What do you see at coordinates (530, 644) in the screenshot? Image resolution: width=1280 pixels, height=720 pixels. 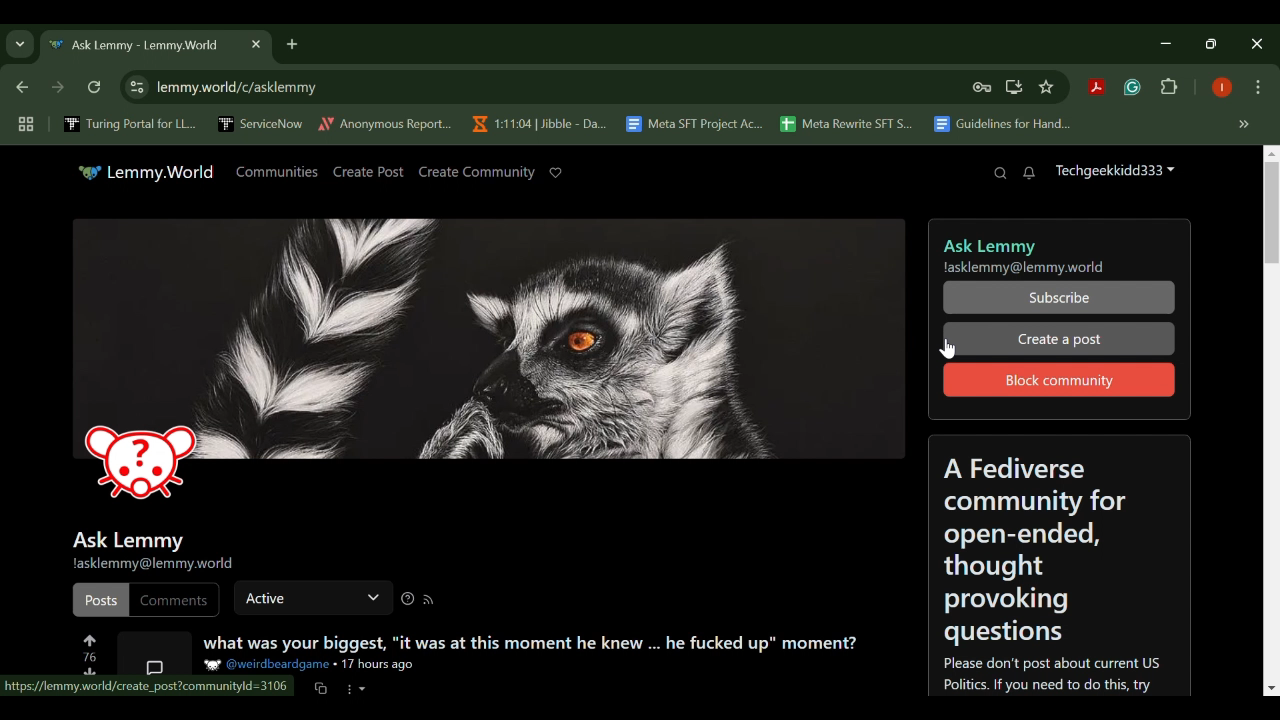 I see `what was your biggest, "it was at this moment he knew ... he fucked up" moment?` at bounding box center [530, 644].